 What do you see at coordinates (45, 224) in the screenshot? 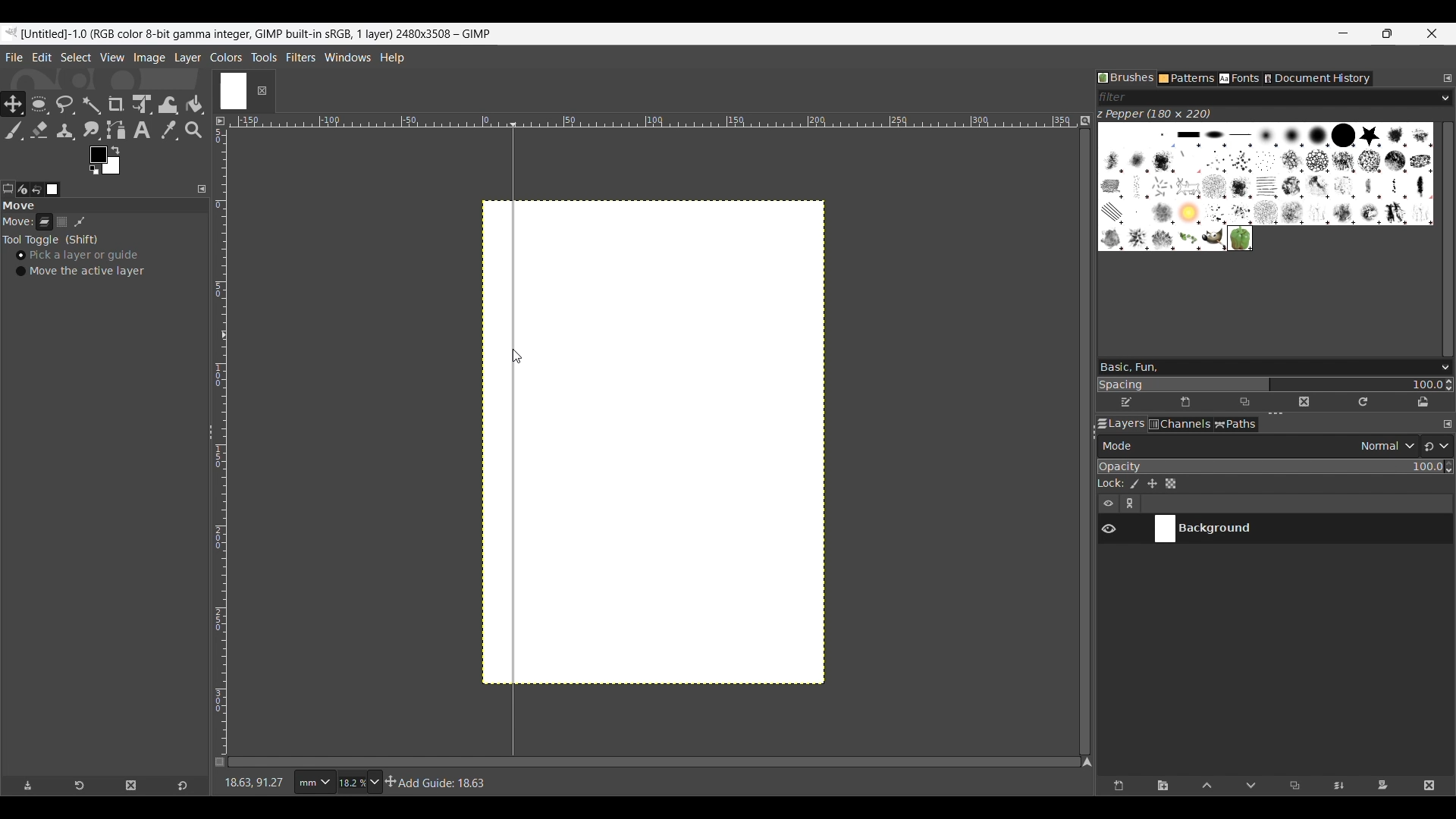
I see `Layer` at bounding box center [45, 224].